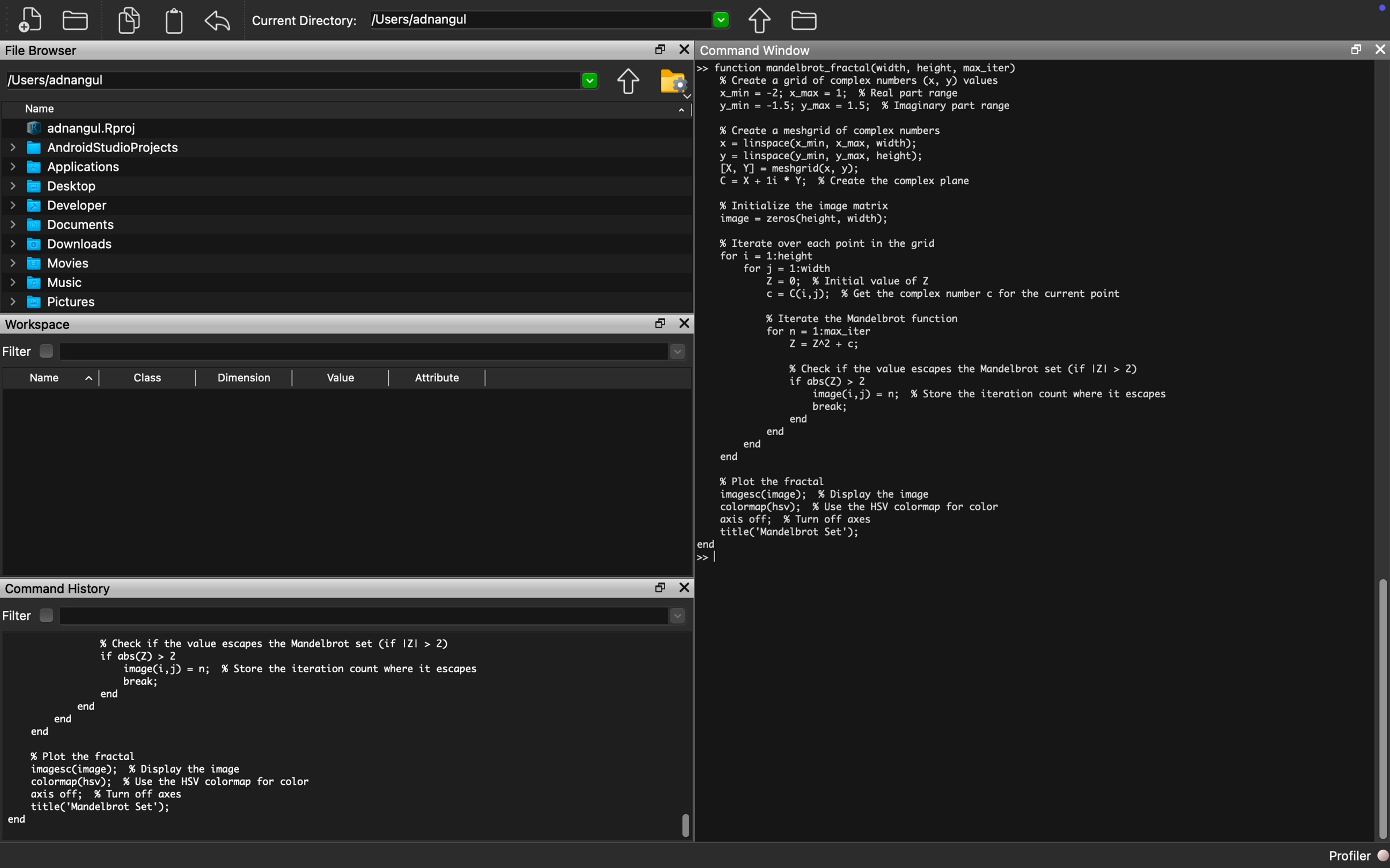 This screenshot has height=868, width=1390. What do you see at coordinates (39, 108) in the screenshot?
I see `Name` at bounding box center [39, 108].